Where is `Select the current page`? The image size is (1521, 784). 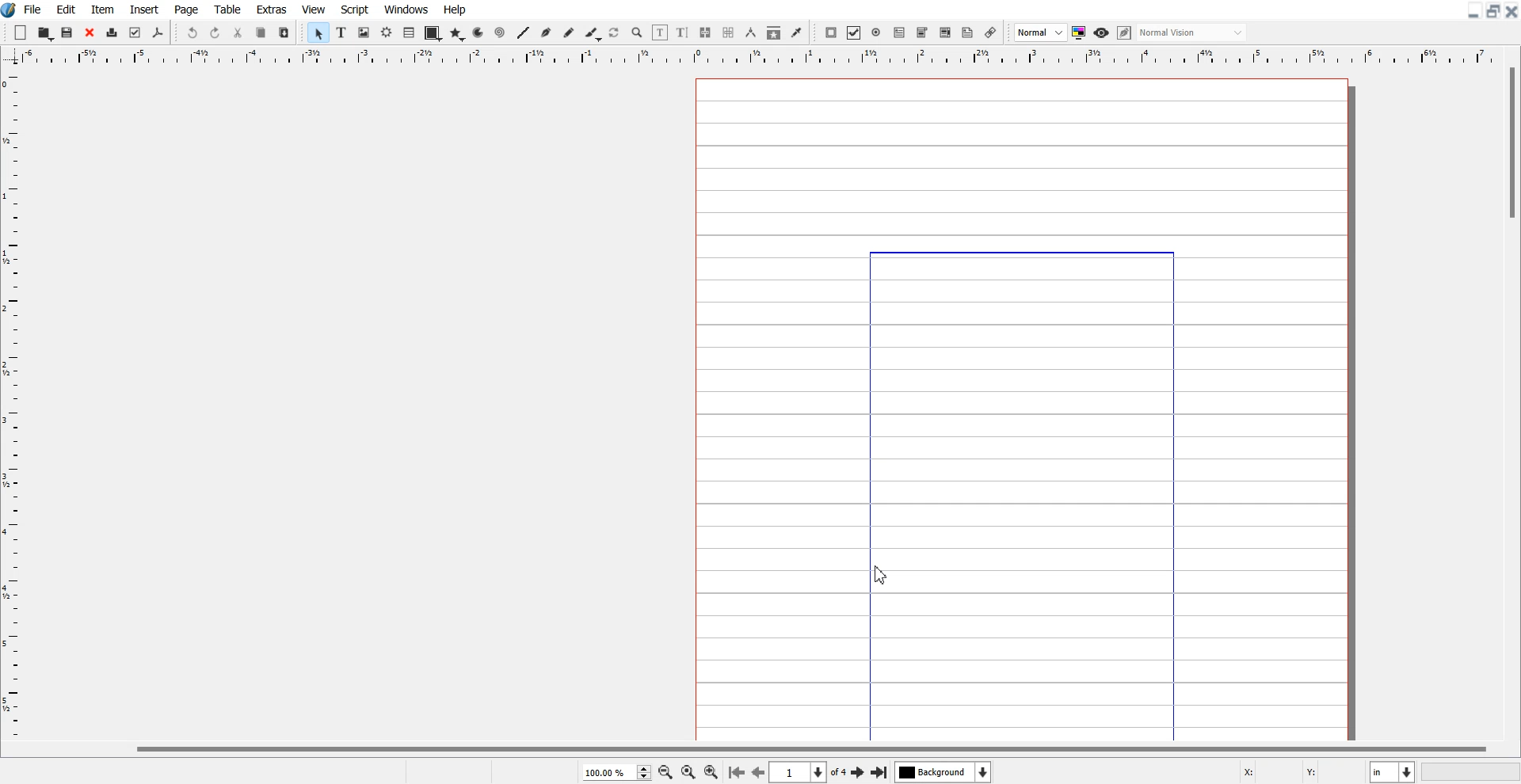
Select the current page is located at coordinates (809, 772).